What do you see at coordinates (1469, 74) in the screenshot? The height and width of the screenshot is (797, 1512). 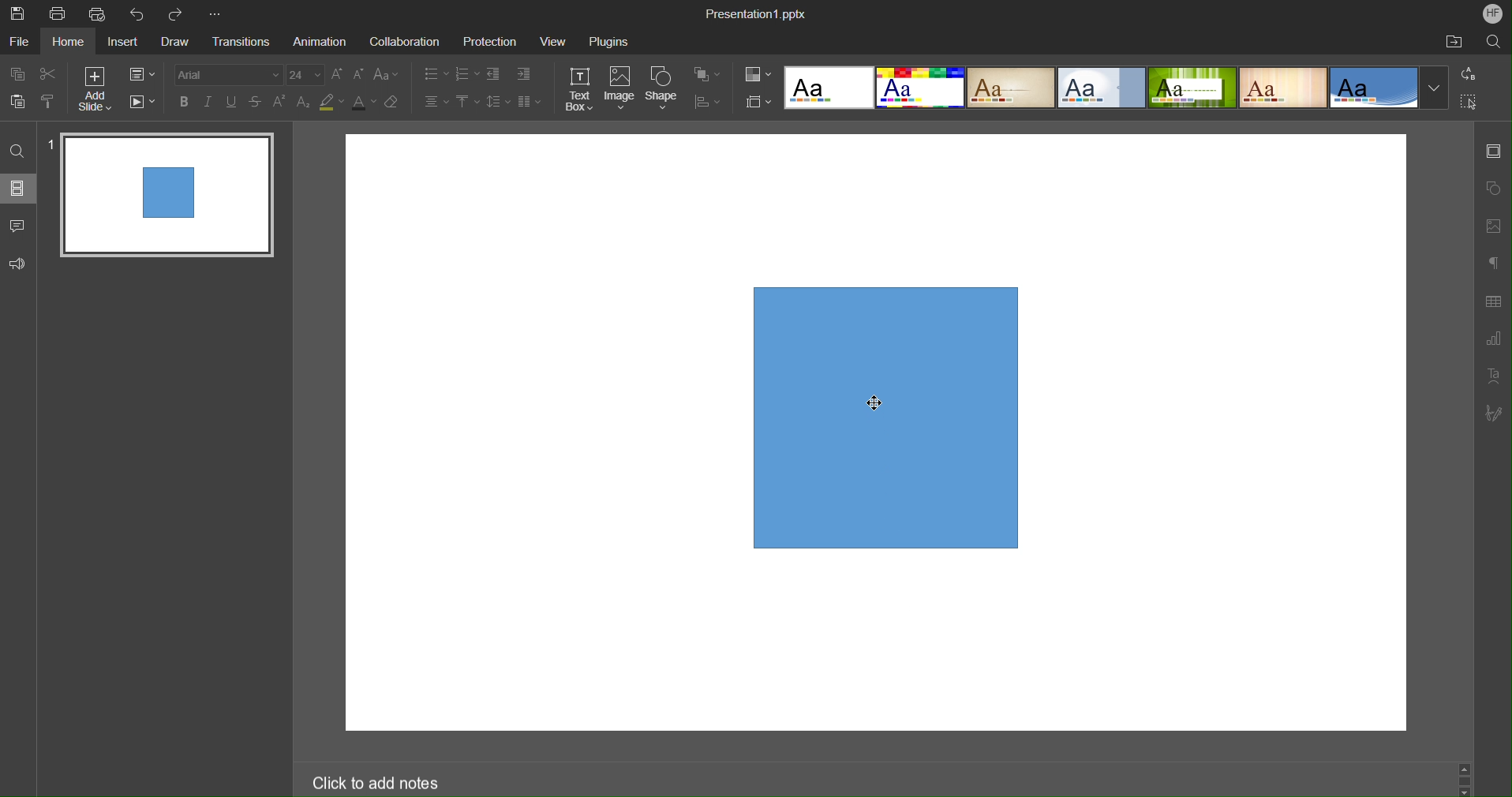 I see `Replace` at bounding box center [1469, 74].